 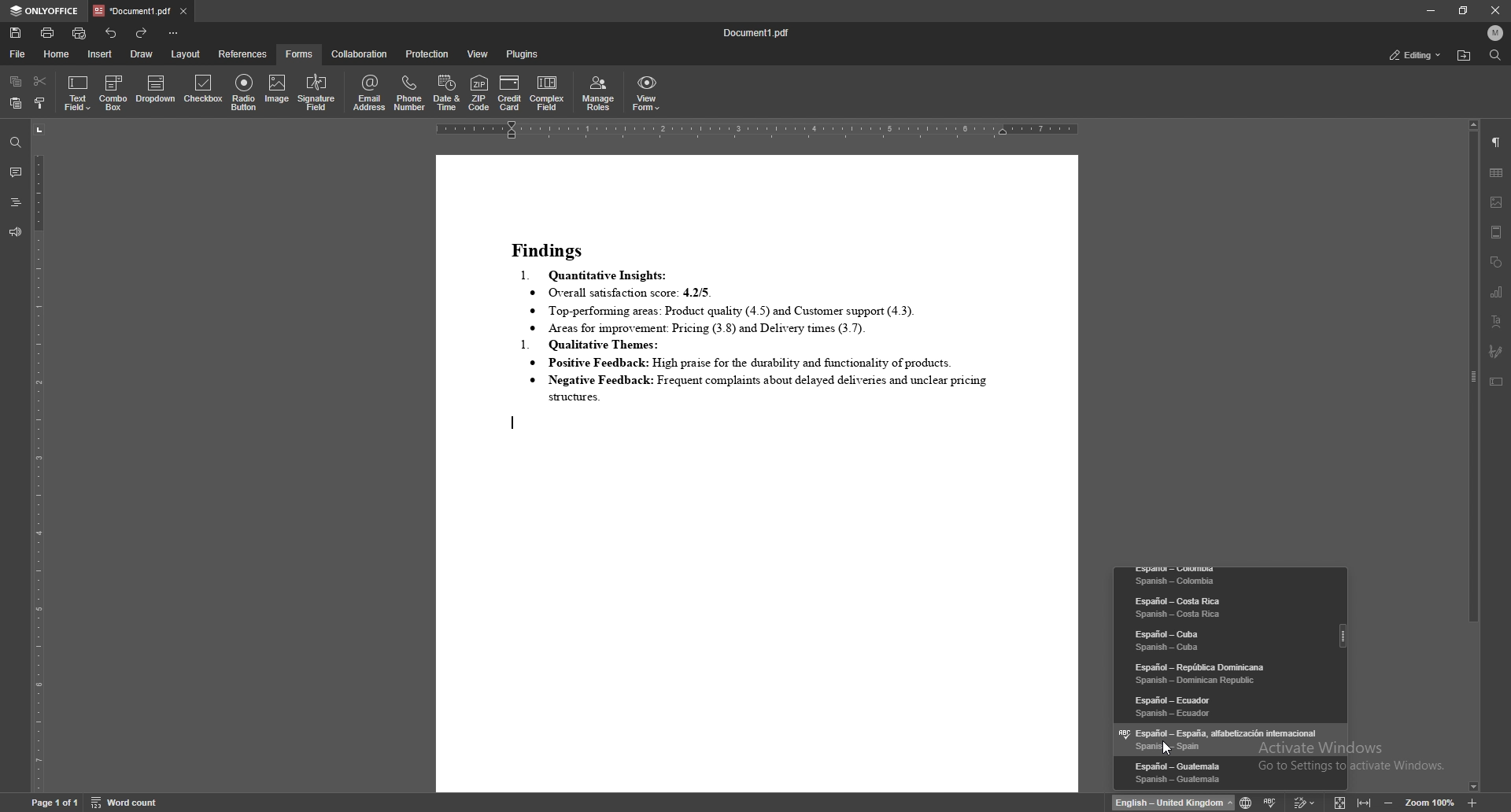 What do you see at coordinates (45, 11) in the screenshot?
I see `onlyoffice` at bounding box center [45, 11].